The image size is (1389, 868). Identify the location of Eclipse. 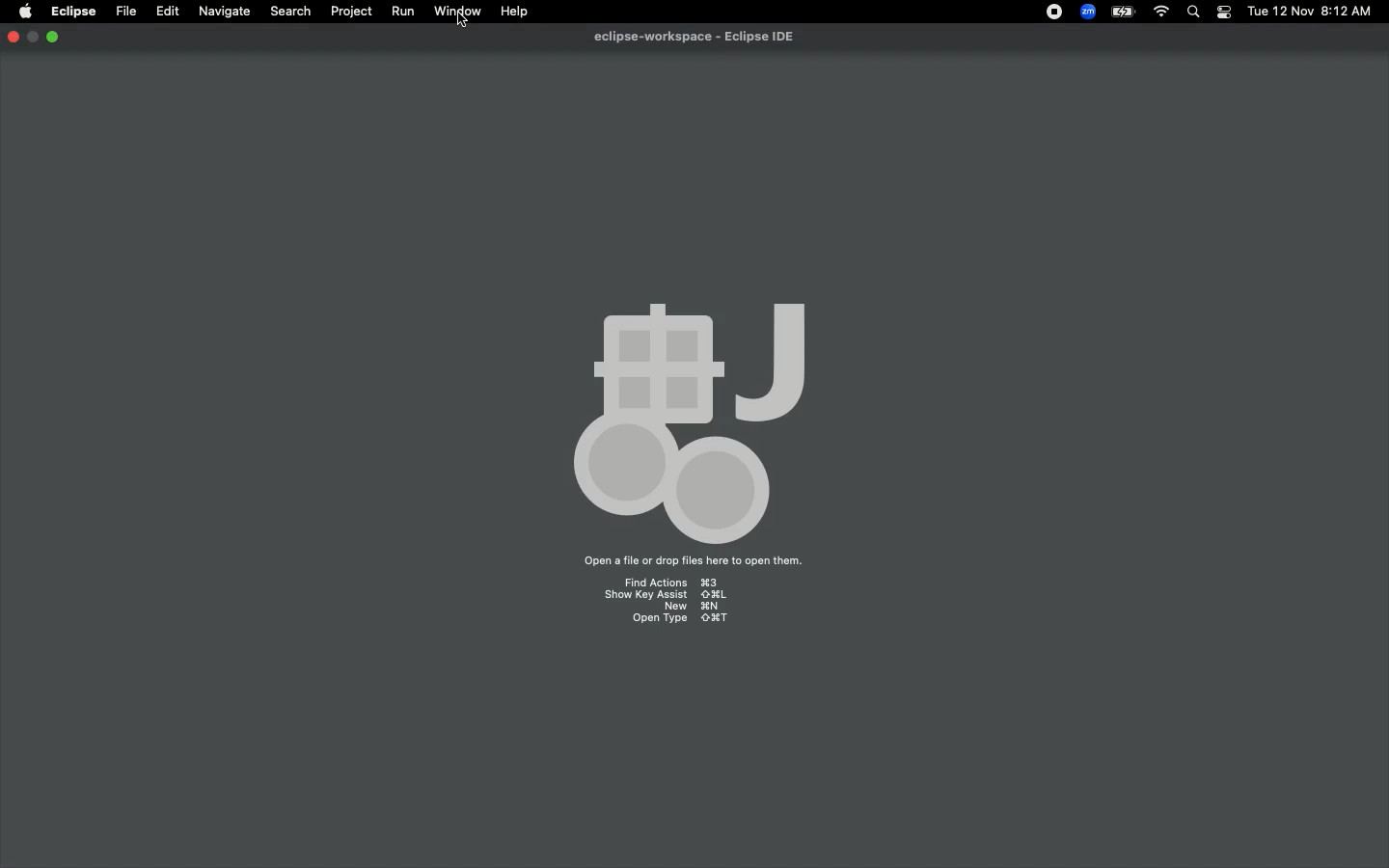
(73, 13).